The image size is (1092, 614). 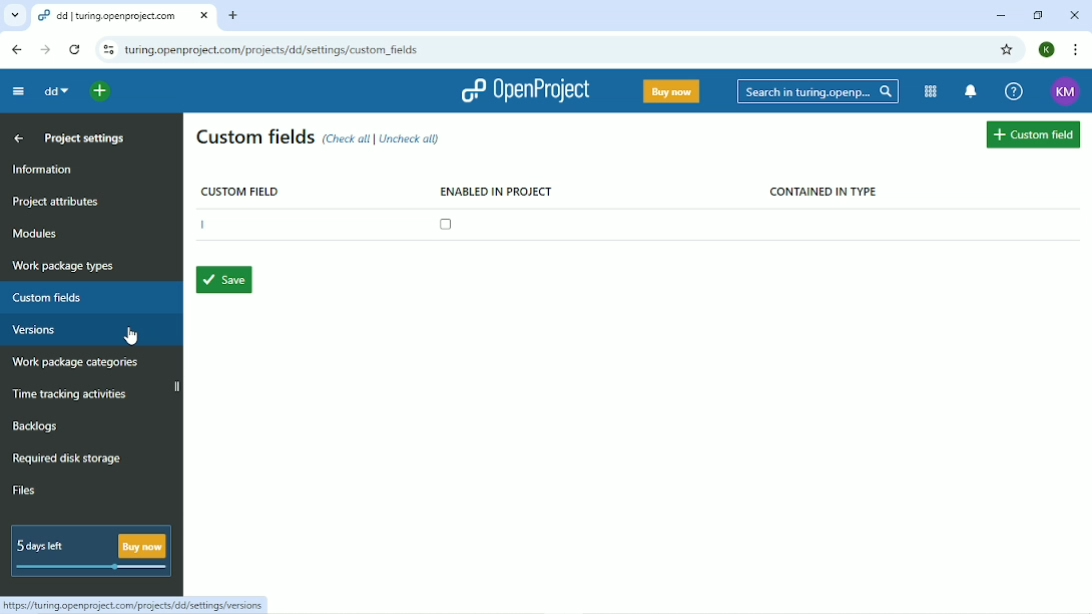 What do you see at coordinates (130, 335) in the screenshot?
I see `Cursor` at bounding box center [130, 335].